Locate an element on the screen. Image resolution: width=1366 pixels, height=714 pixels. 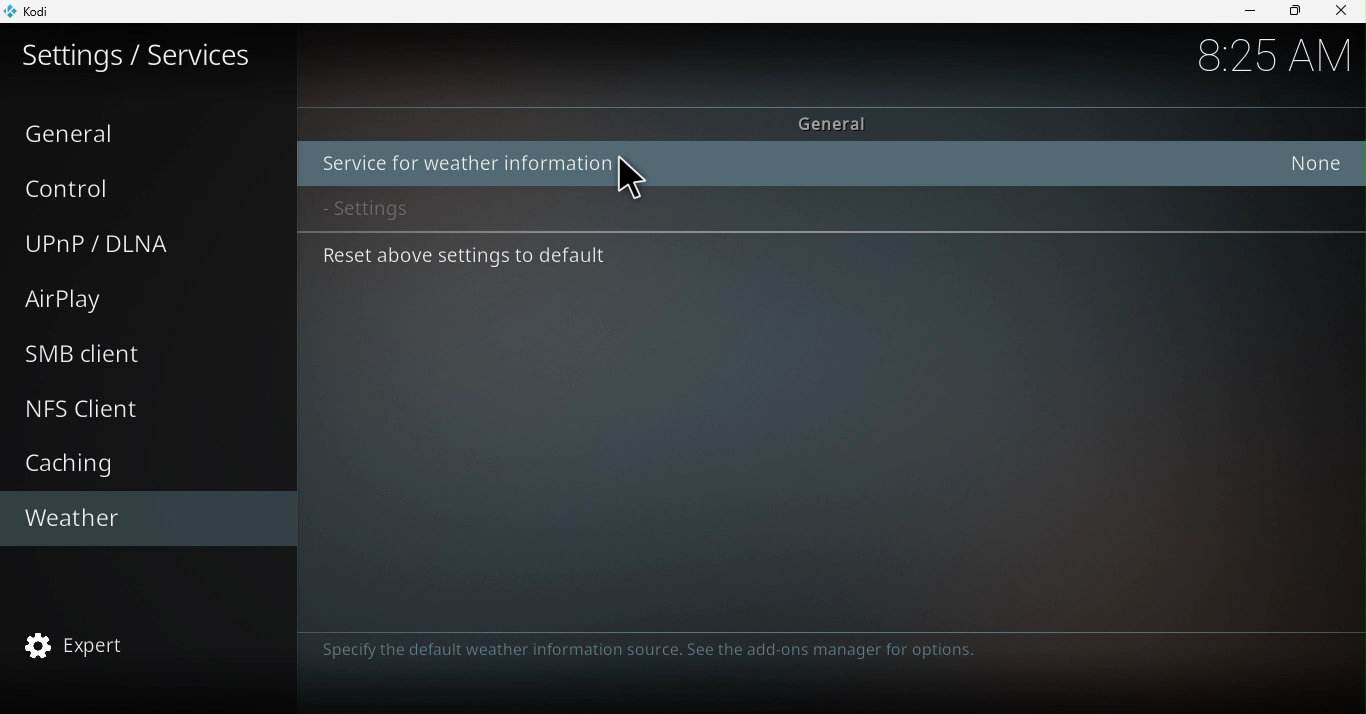
Expert is located at coordinates (145, 642).